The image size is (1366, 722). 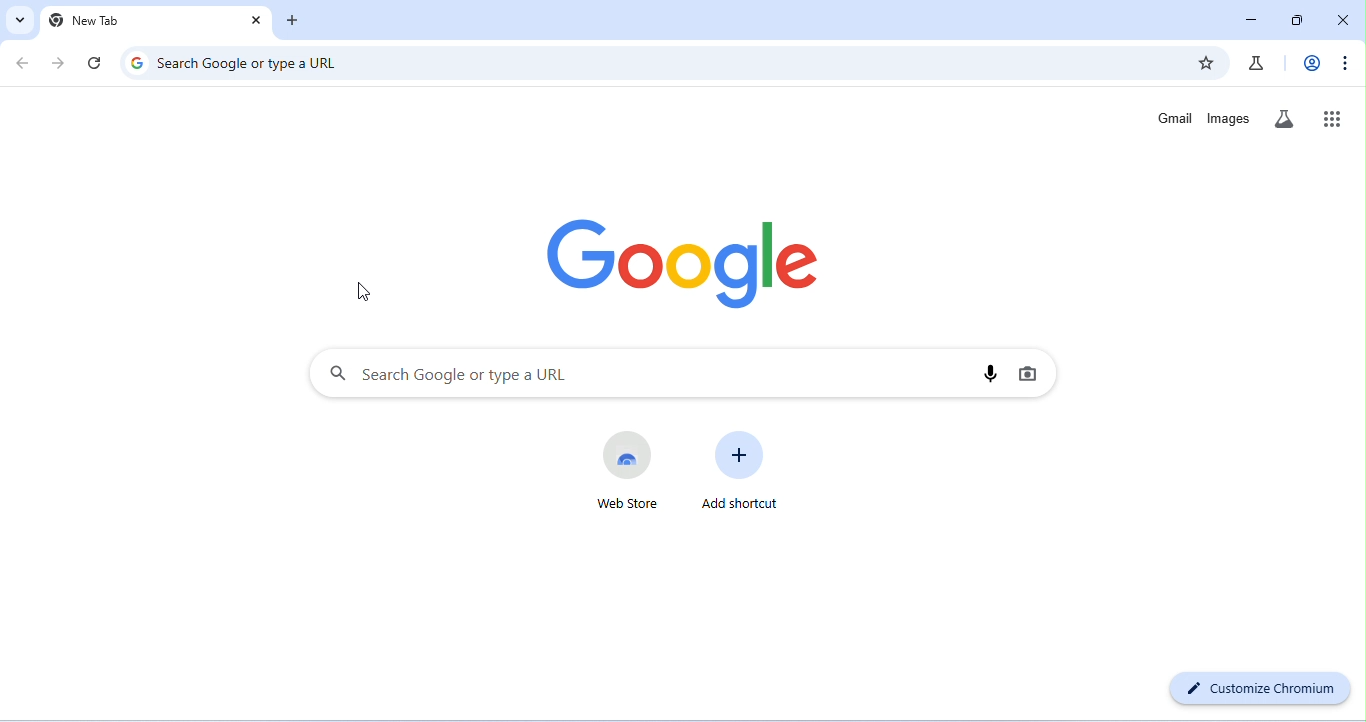 I want to click on bookmarks, so click(x=1207, y=62).